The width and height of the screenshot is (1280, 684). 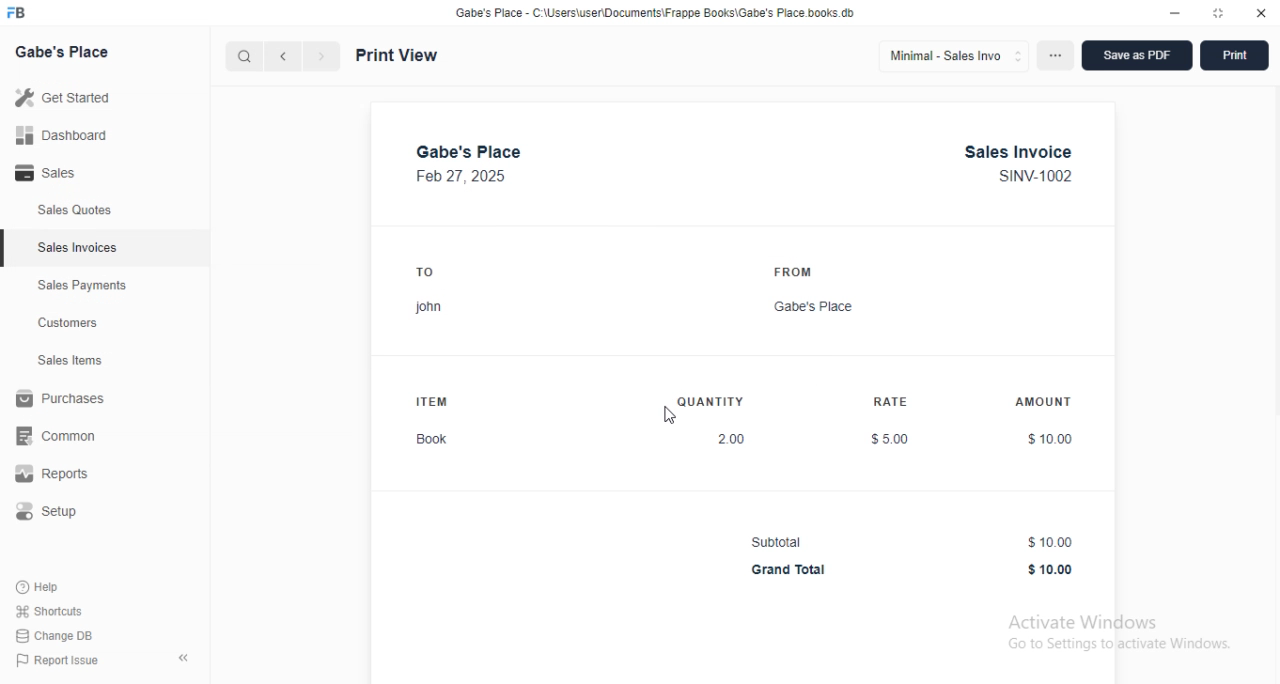 I want to click on search, so click(x=244, y=56).